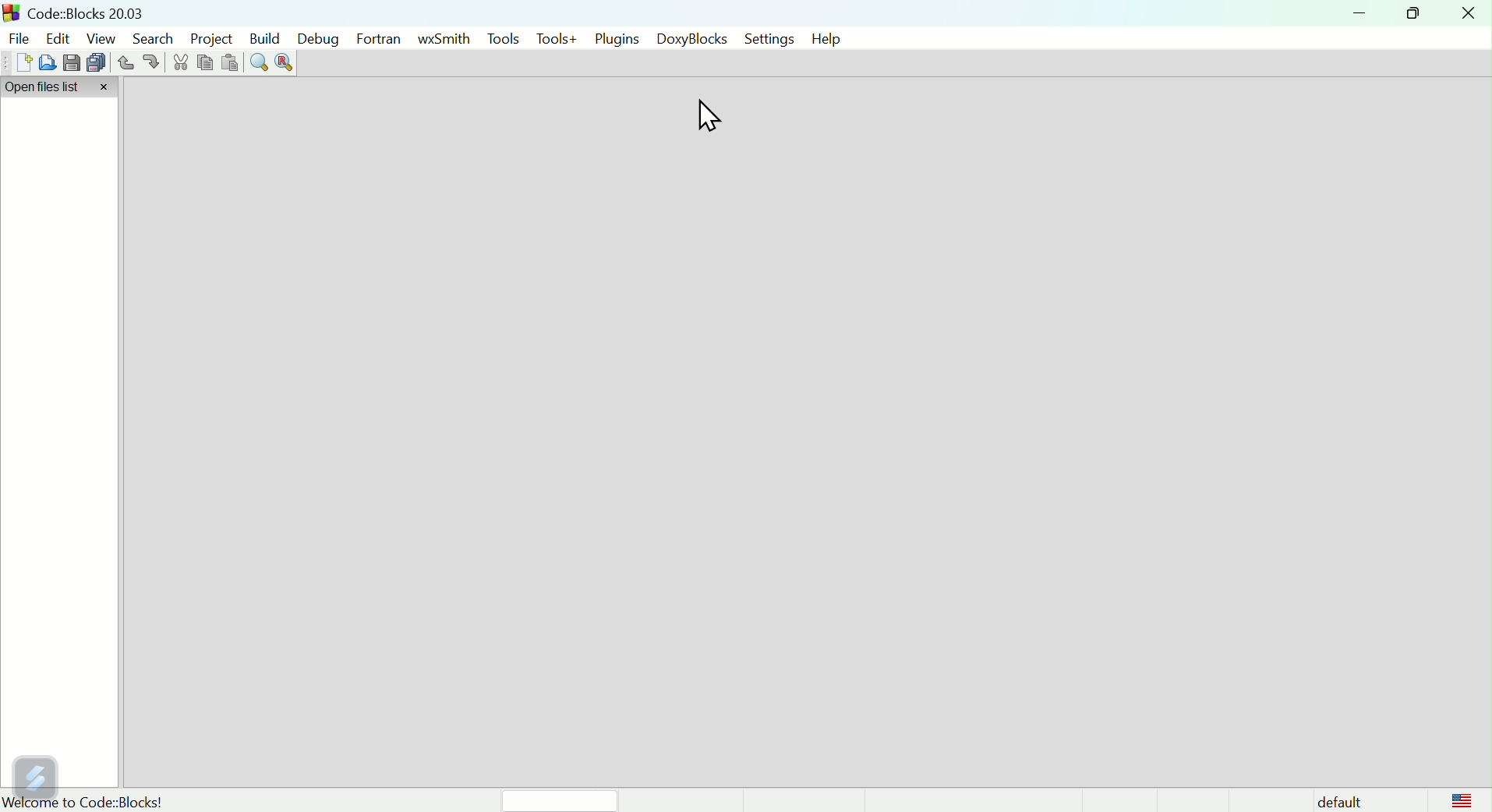 The height and width of the screenshot is (812, 1492). I want to click on Find, so click(260, 63).